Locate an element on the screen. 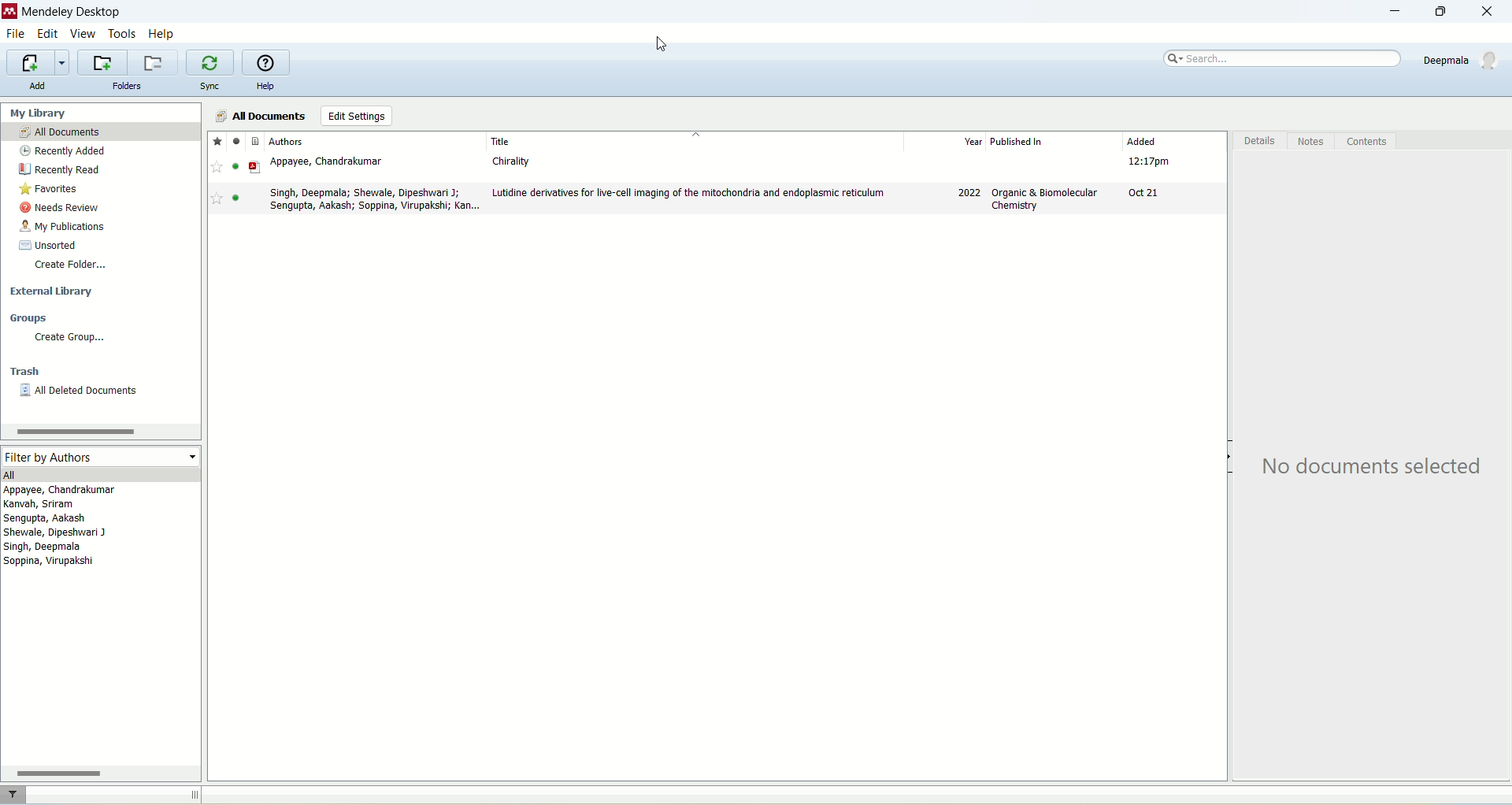 The width and height of the screenshot is (1512, 805). recently added is located at coordinates (69, 150).